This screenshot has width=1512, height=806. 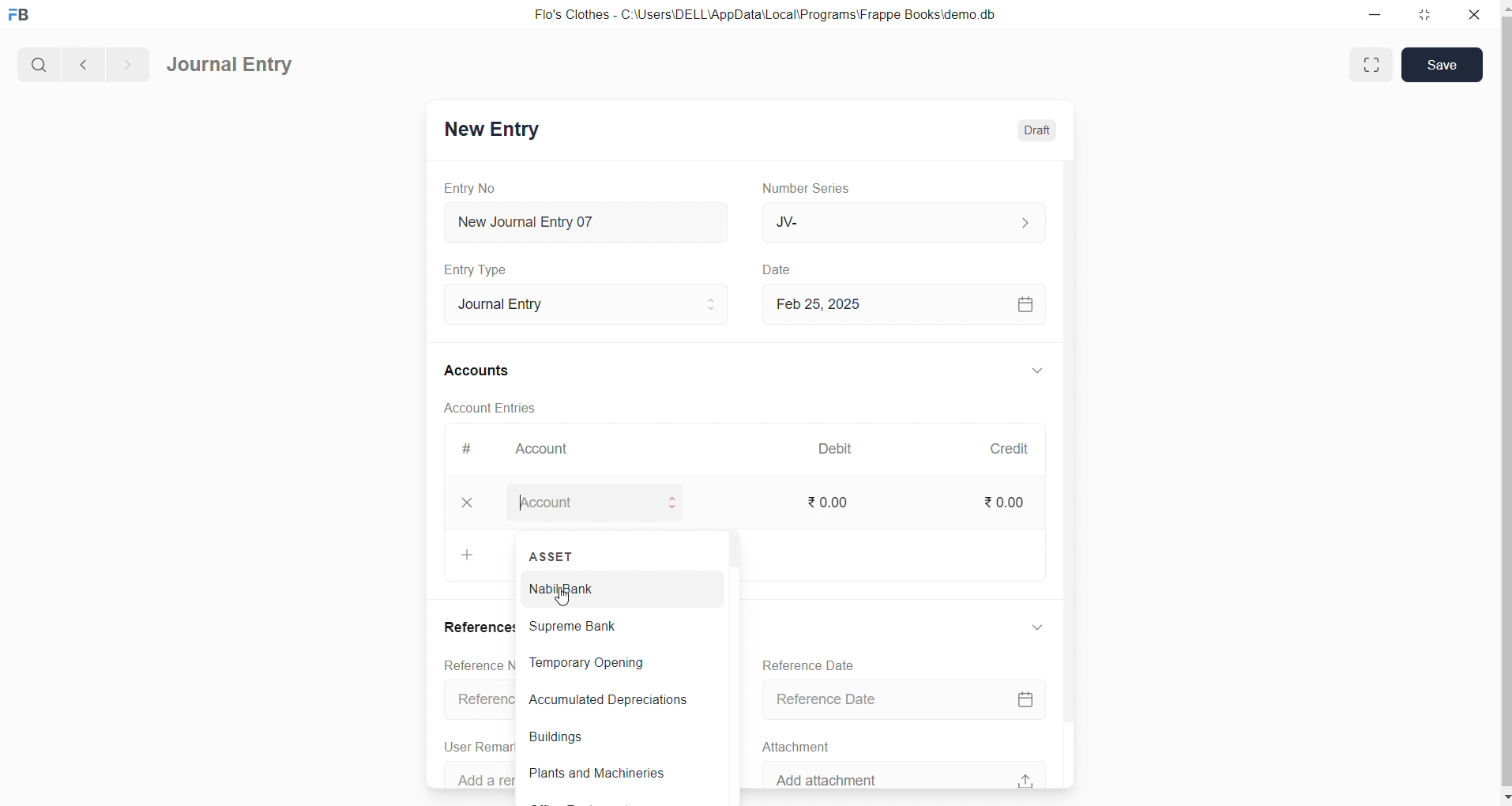 I want to click on Attachment, so click(x=805, y=745).